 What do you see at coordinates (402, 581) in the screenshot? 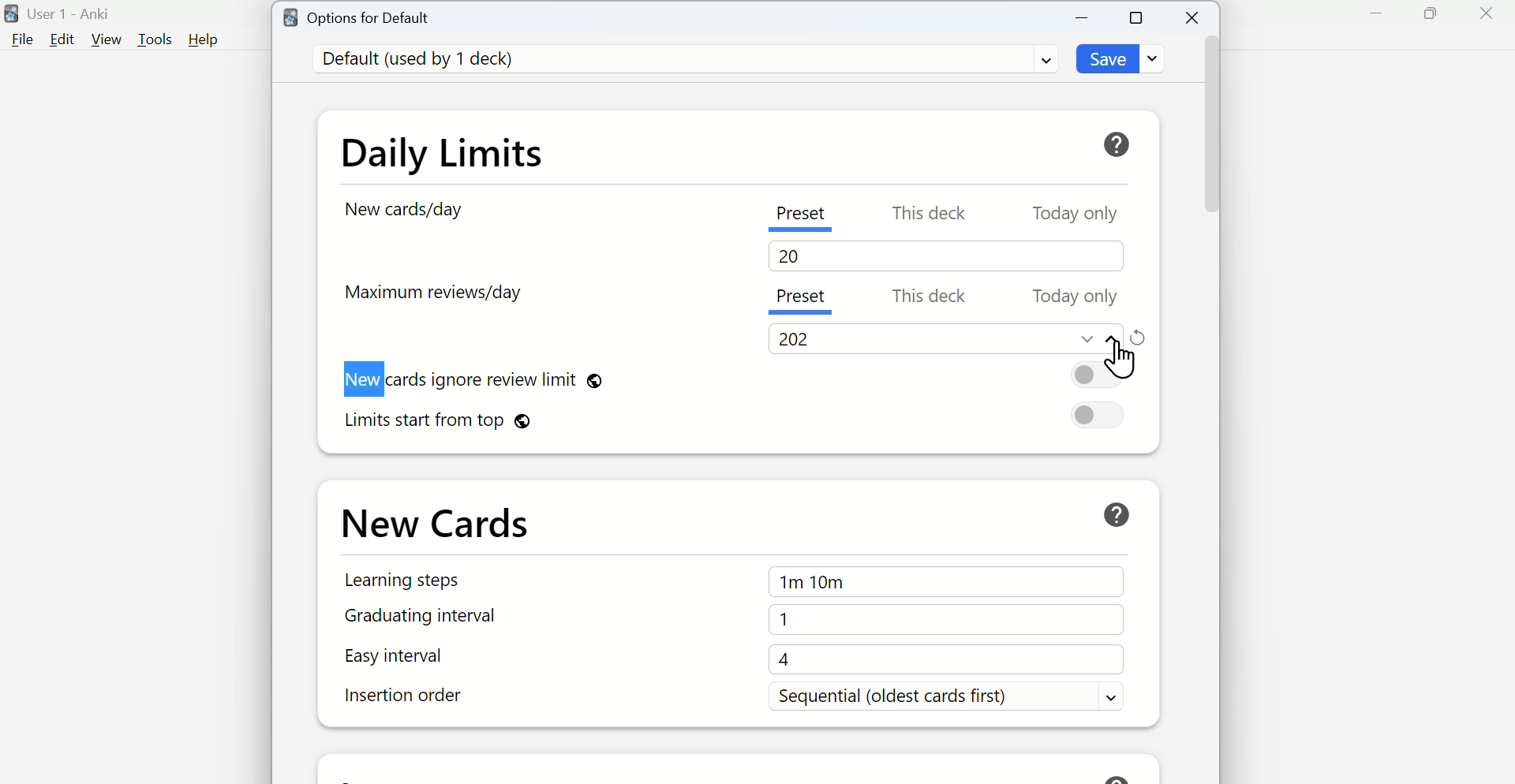
I see `Learning steps` at bounding box center [402, 581].